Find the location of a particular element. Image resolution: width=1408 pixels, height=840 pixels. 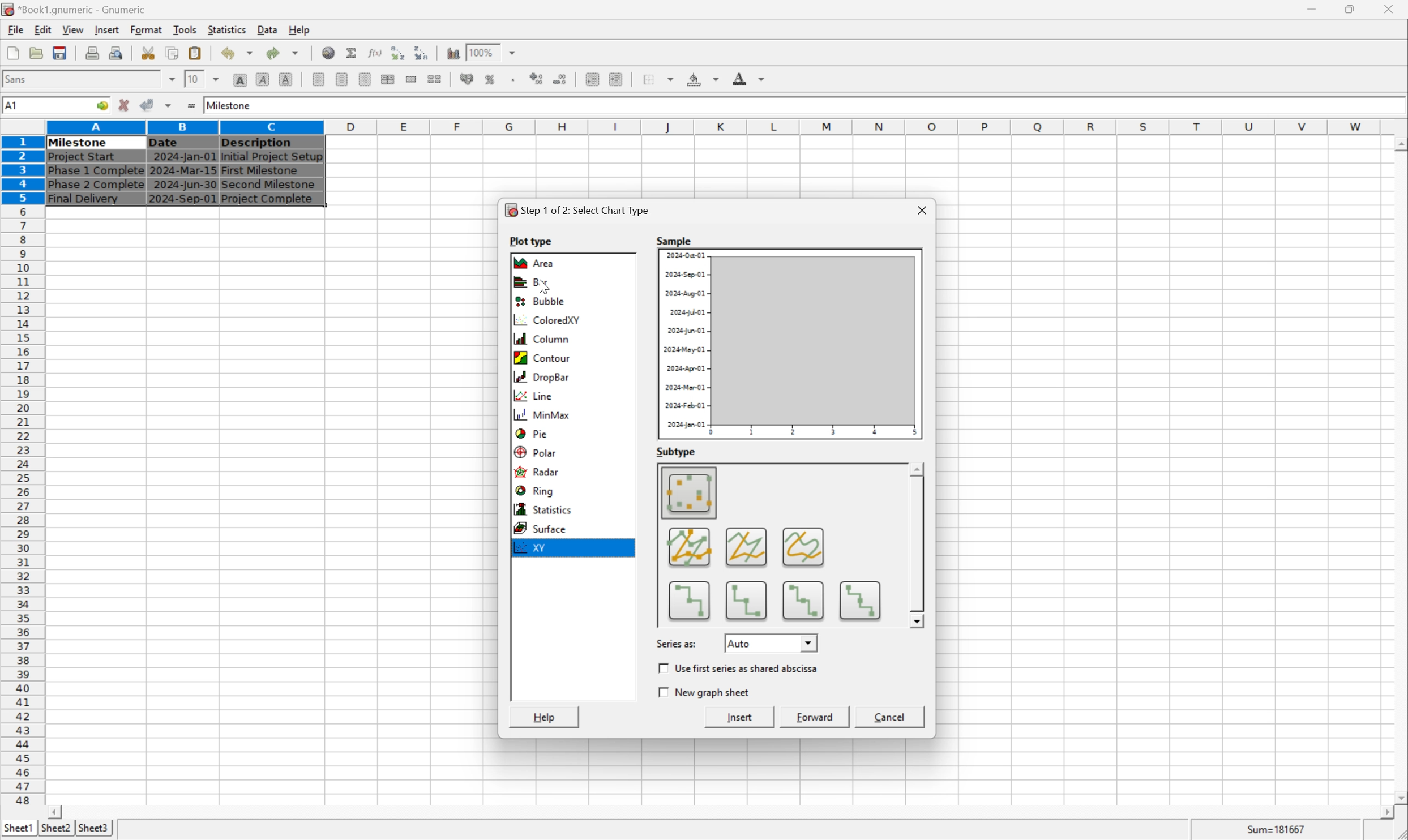

Milestone is located at coordinates (230, 104).